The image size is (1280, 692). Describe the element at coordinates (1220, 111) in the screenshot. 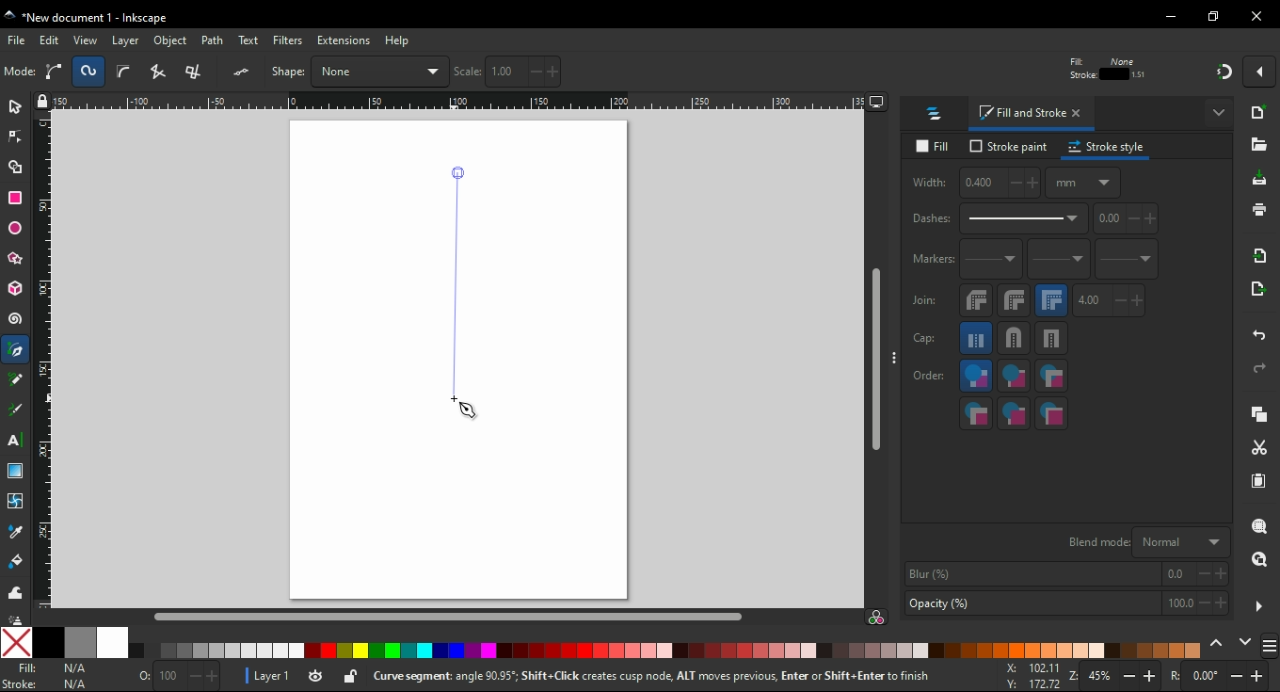

I see `more options` at that location.